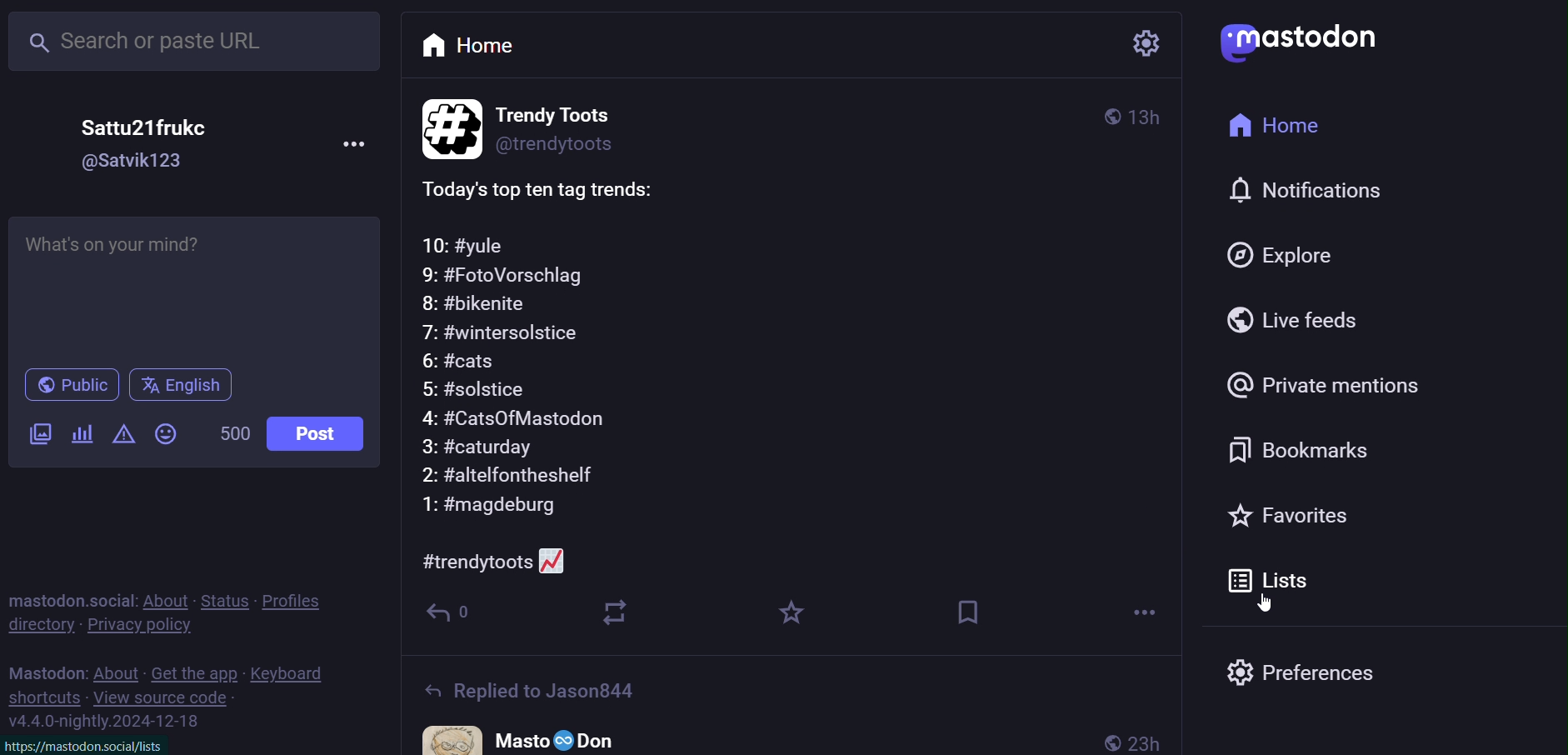 The height and width of the screenshot is (755, 1568). I want to click on poll, so click(88, 434).